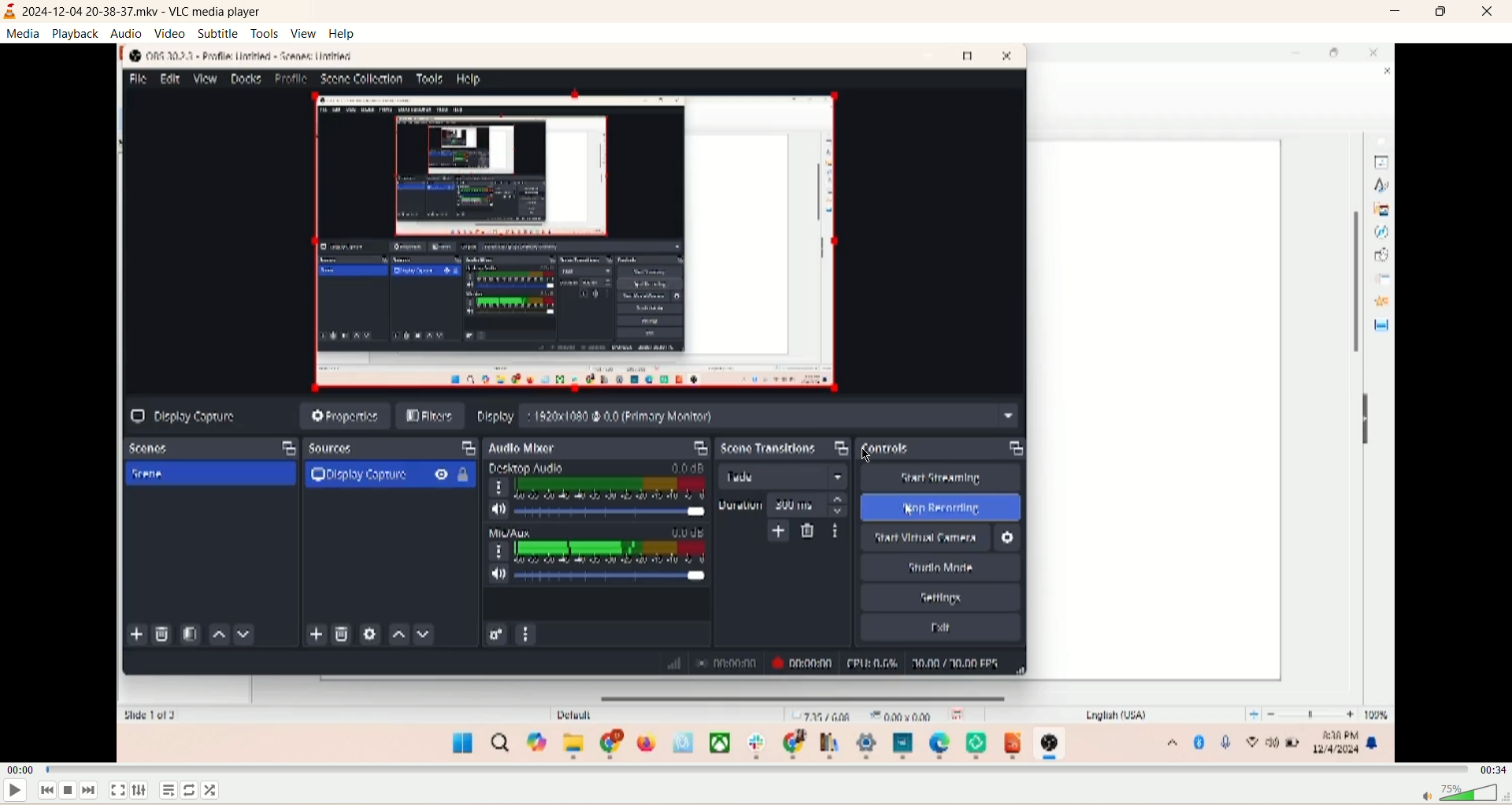 The height and width of the screenshot is (805, 1512). Describe the element at coordinates (171, 34) in the screenshot. I see `video` at that location.